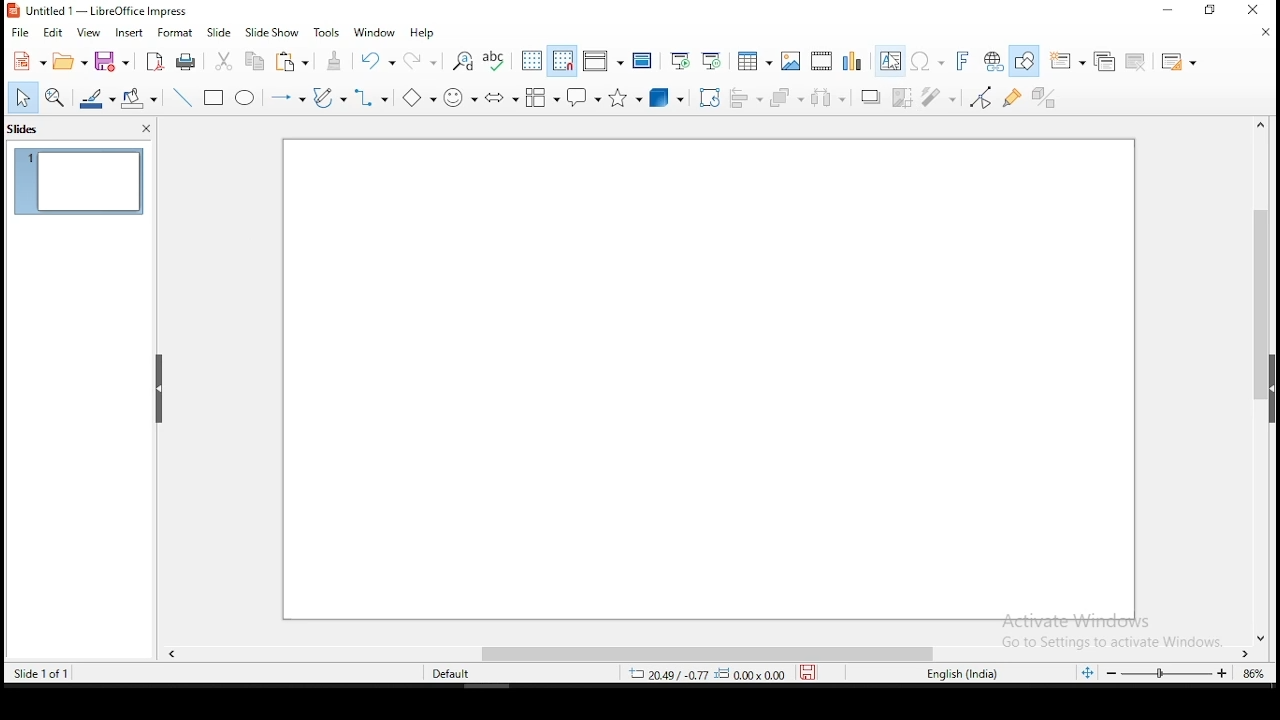 This screenshot has width=1280, height=720. What do you see at coordinates (112, 60) in the screenshot?
I see `save` at bounding box center [112, 60].